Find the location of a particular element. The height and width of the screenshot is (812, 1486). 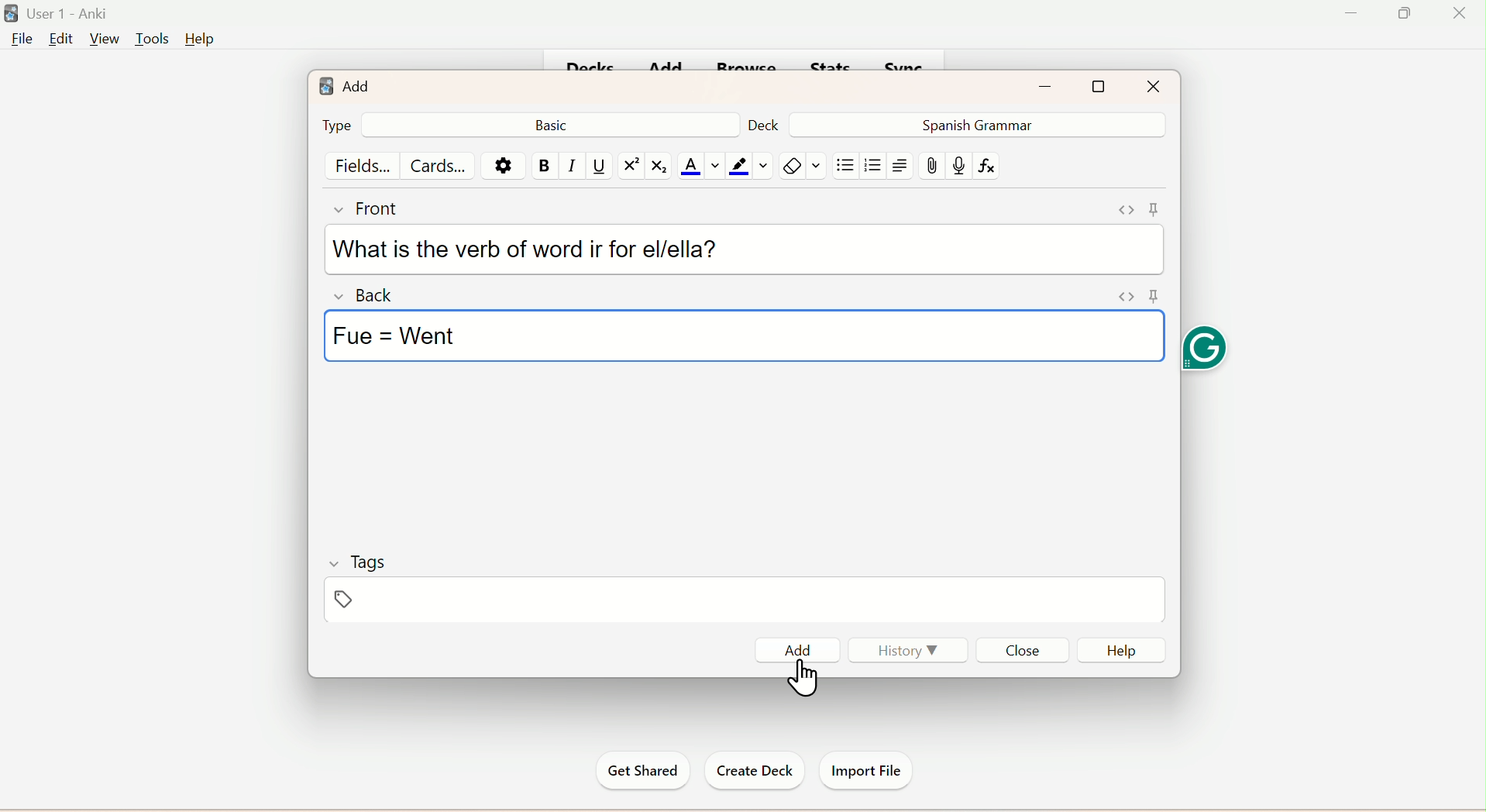

Pin is located at coordinates (1132, 299).